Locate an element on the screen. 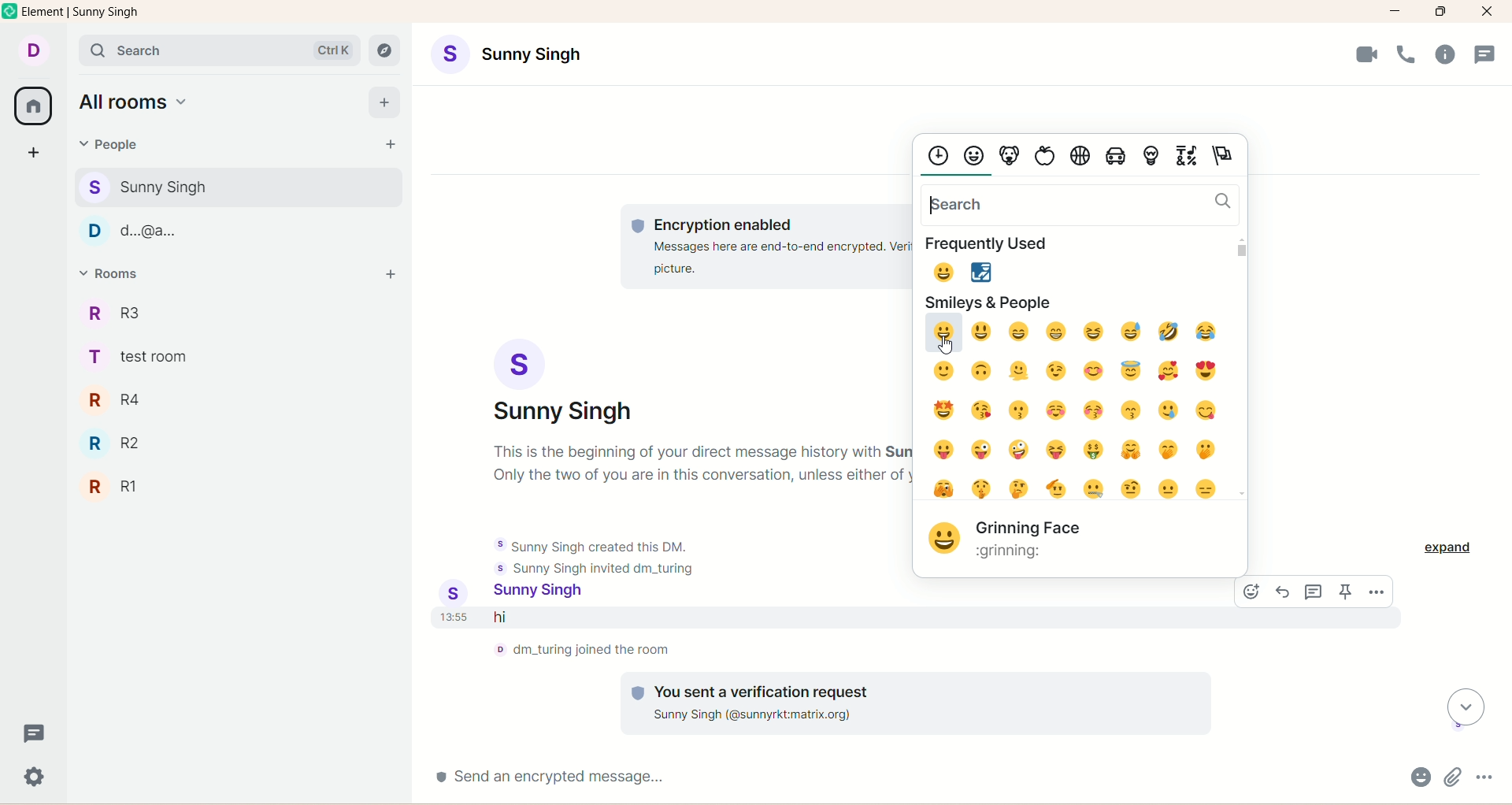  d...@a... chat is located at coordinates (235, 231).